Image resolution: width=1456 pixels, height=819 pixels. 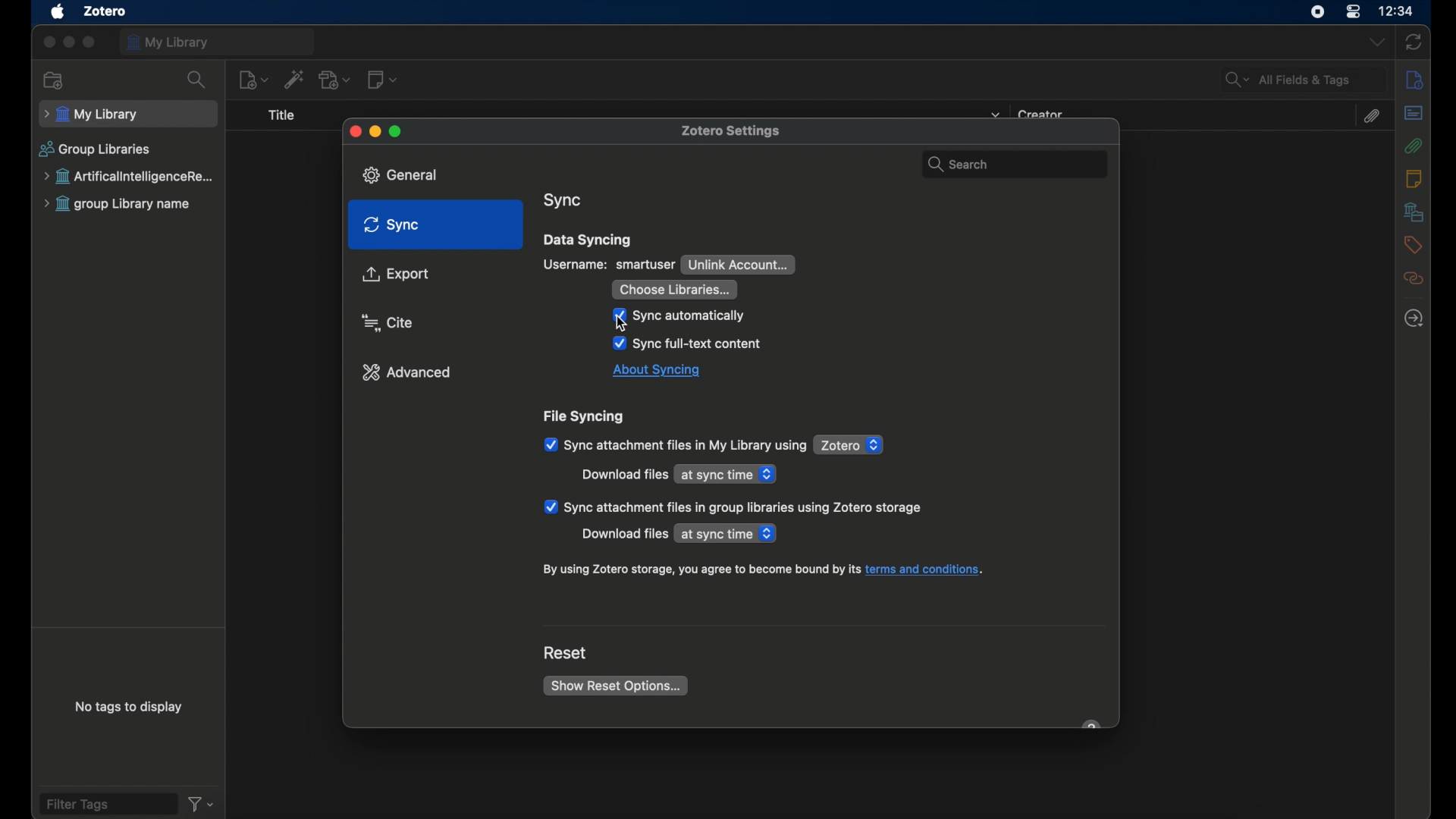 What do you see at coordinates (1412, 212) in the screenshot?
I see `libraries and collections` at bounding box center [1412, 212].